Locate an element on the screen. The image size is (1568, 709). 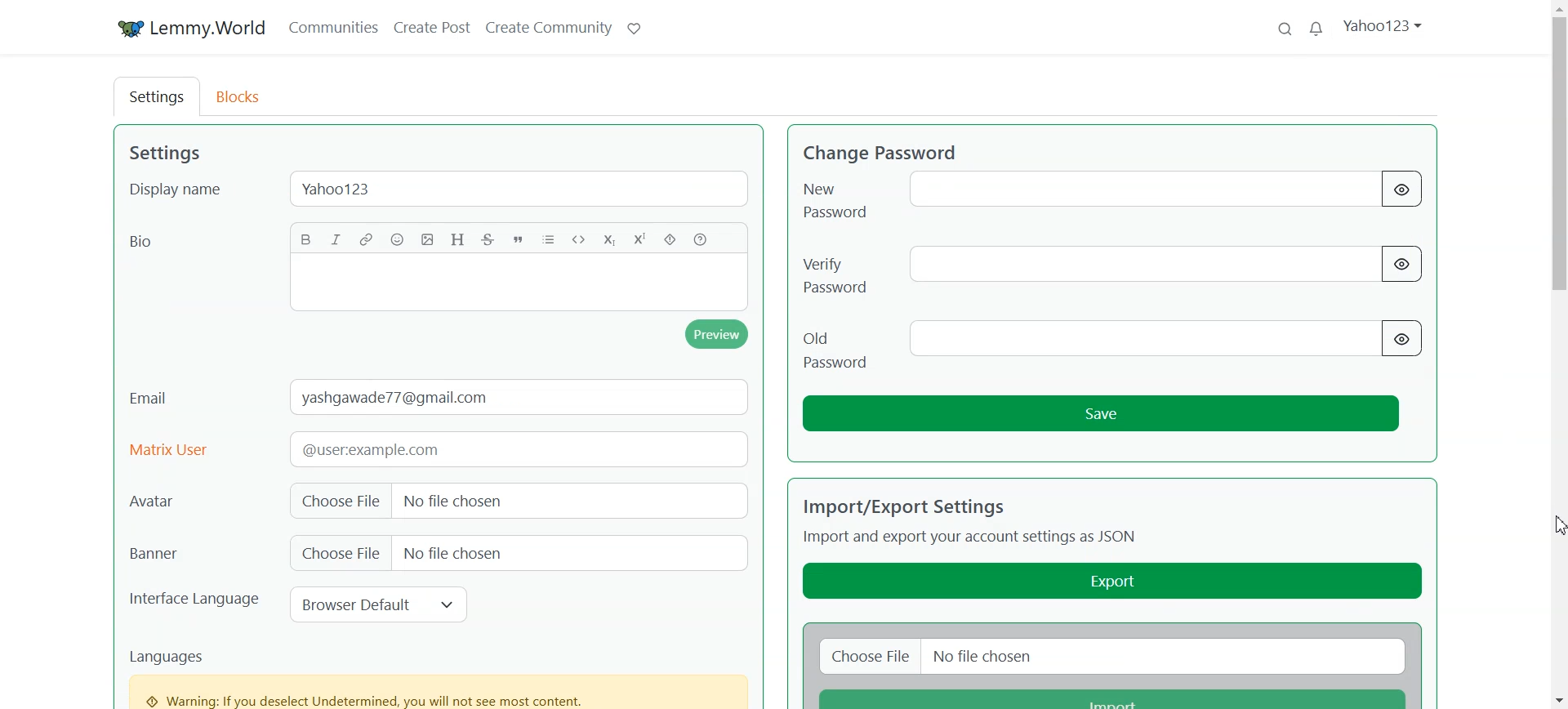
Lemmy.world is located at coordinates (187, 26).